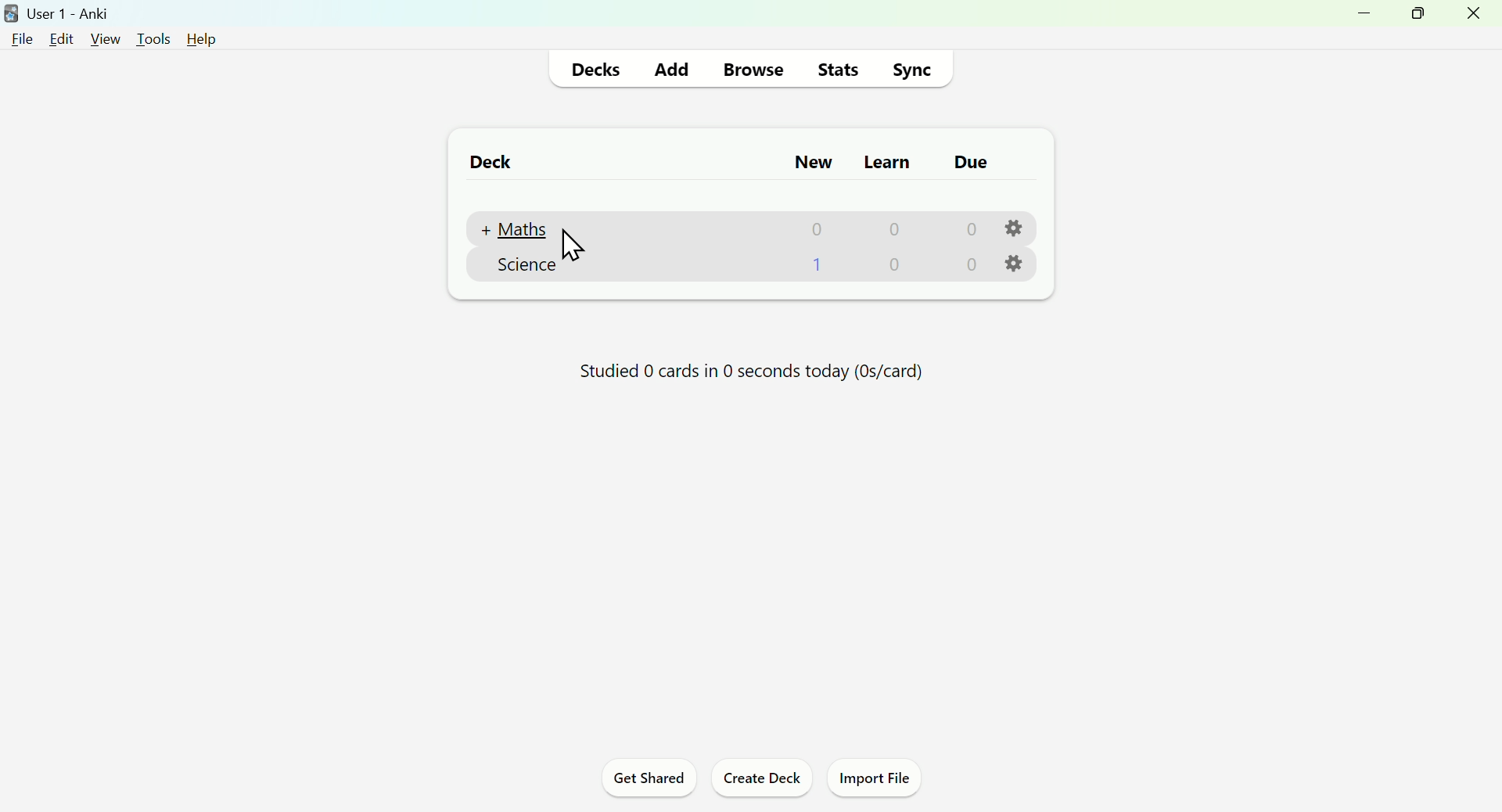  What do you see at coordinates (153, 39) in the screenshot?
I see `tools` at bounding box center [153, 39].